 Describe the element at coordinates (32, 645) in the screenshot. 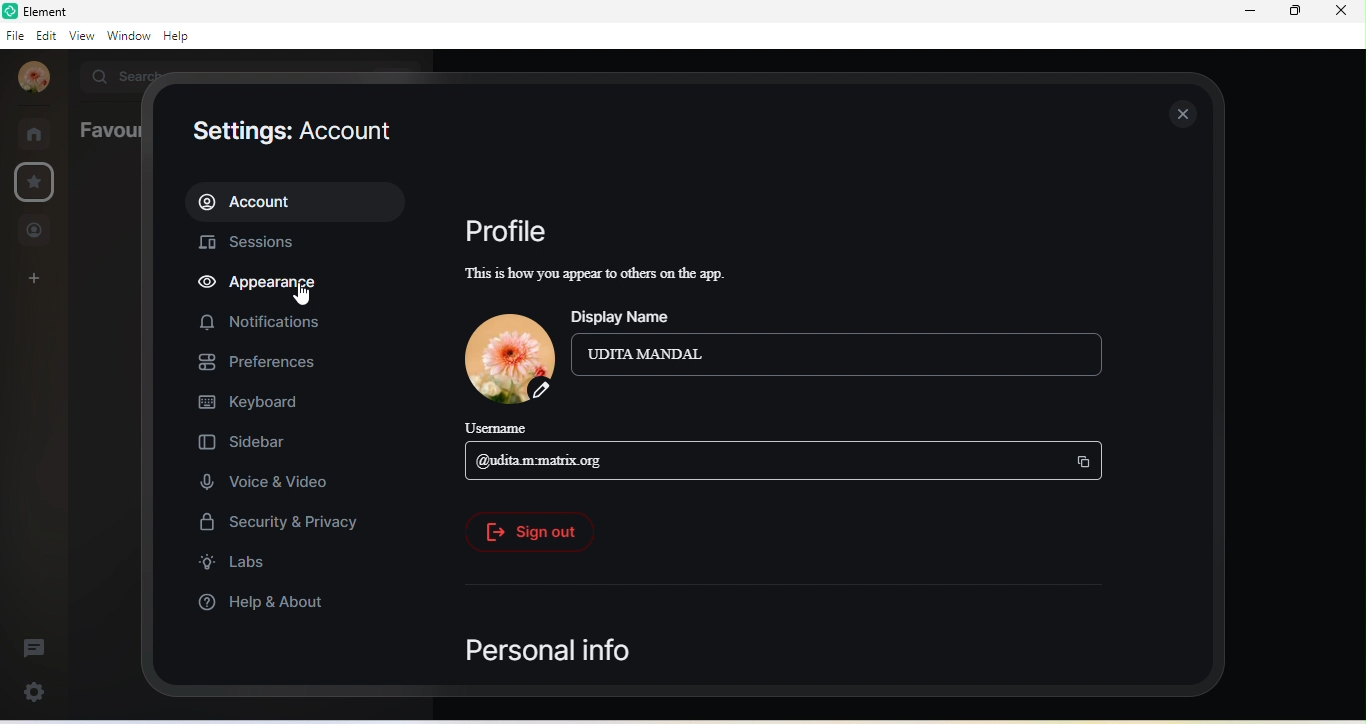

I see `thread` at that location.